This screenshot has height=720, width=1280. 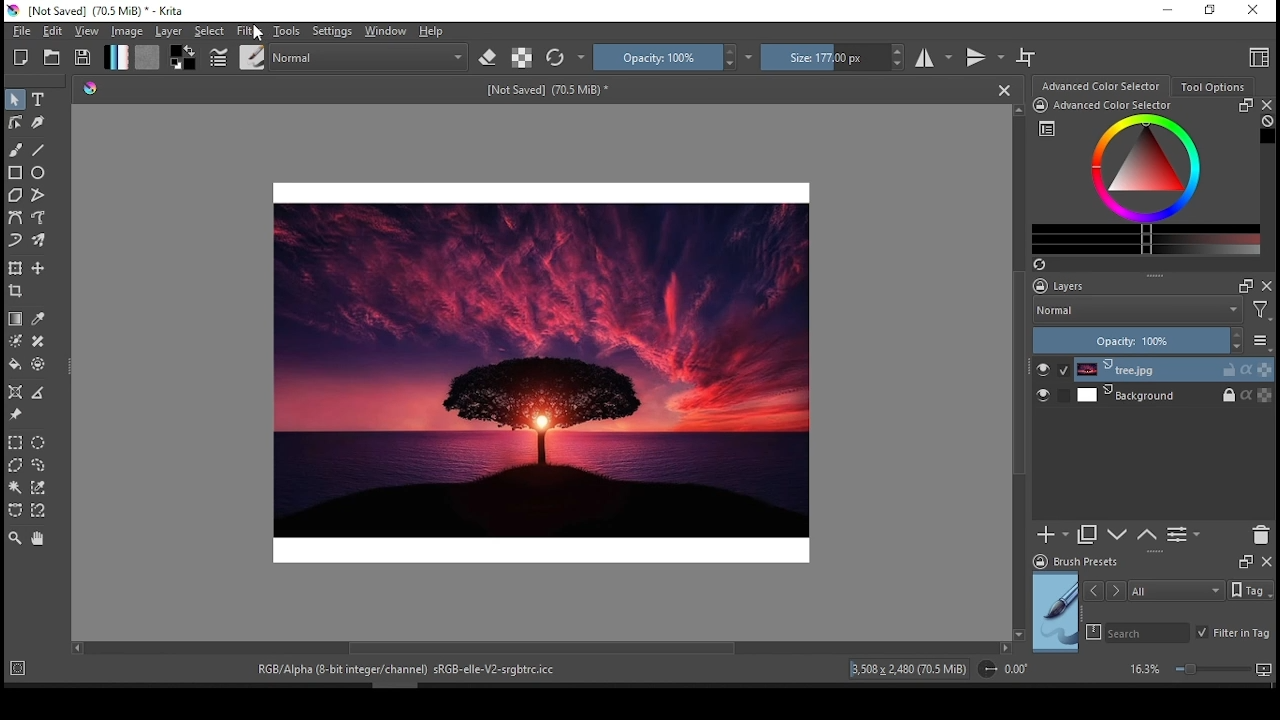 What do you see at coordinates (16, 149) in the screenshot?
I see `paint brush tool` at bounding box center [16, 149].